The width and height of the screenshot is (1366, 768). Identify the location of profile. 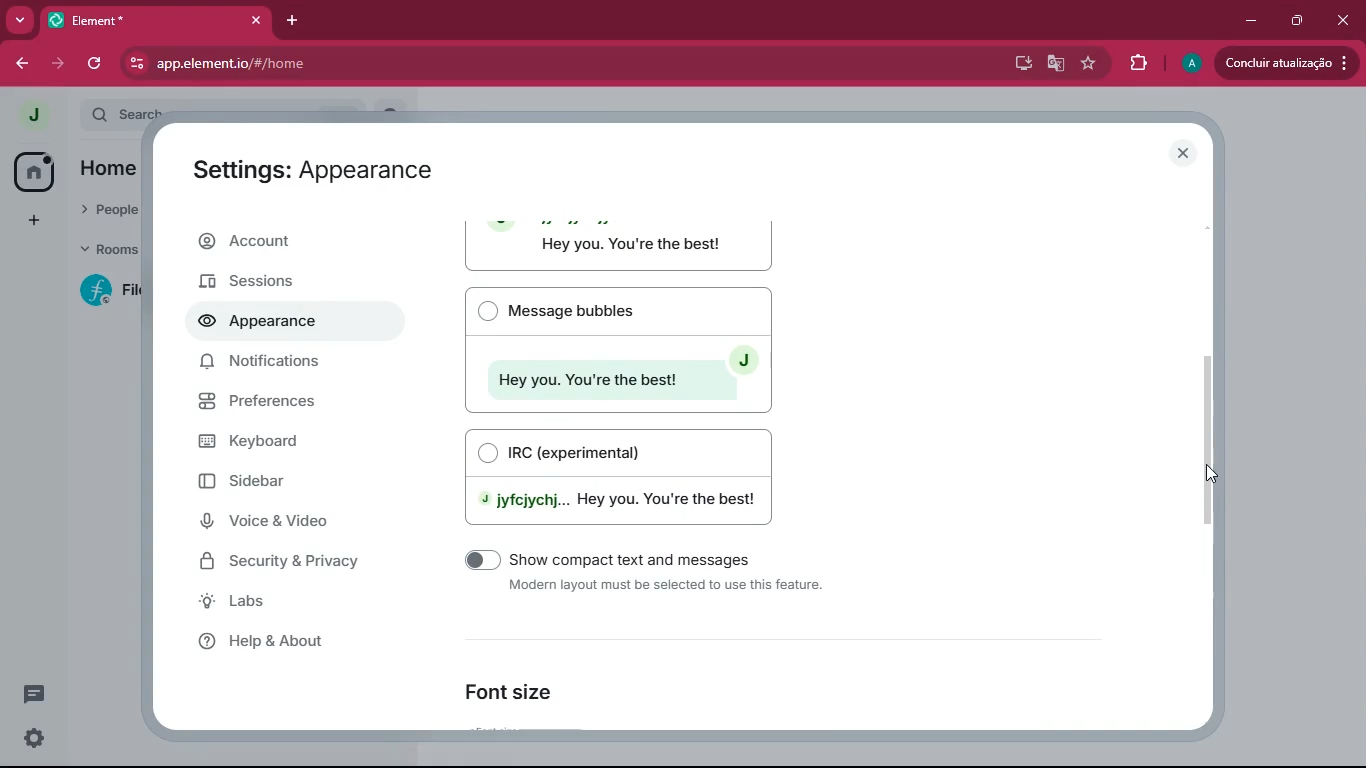
(1188, 64).